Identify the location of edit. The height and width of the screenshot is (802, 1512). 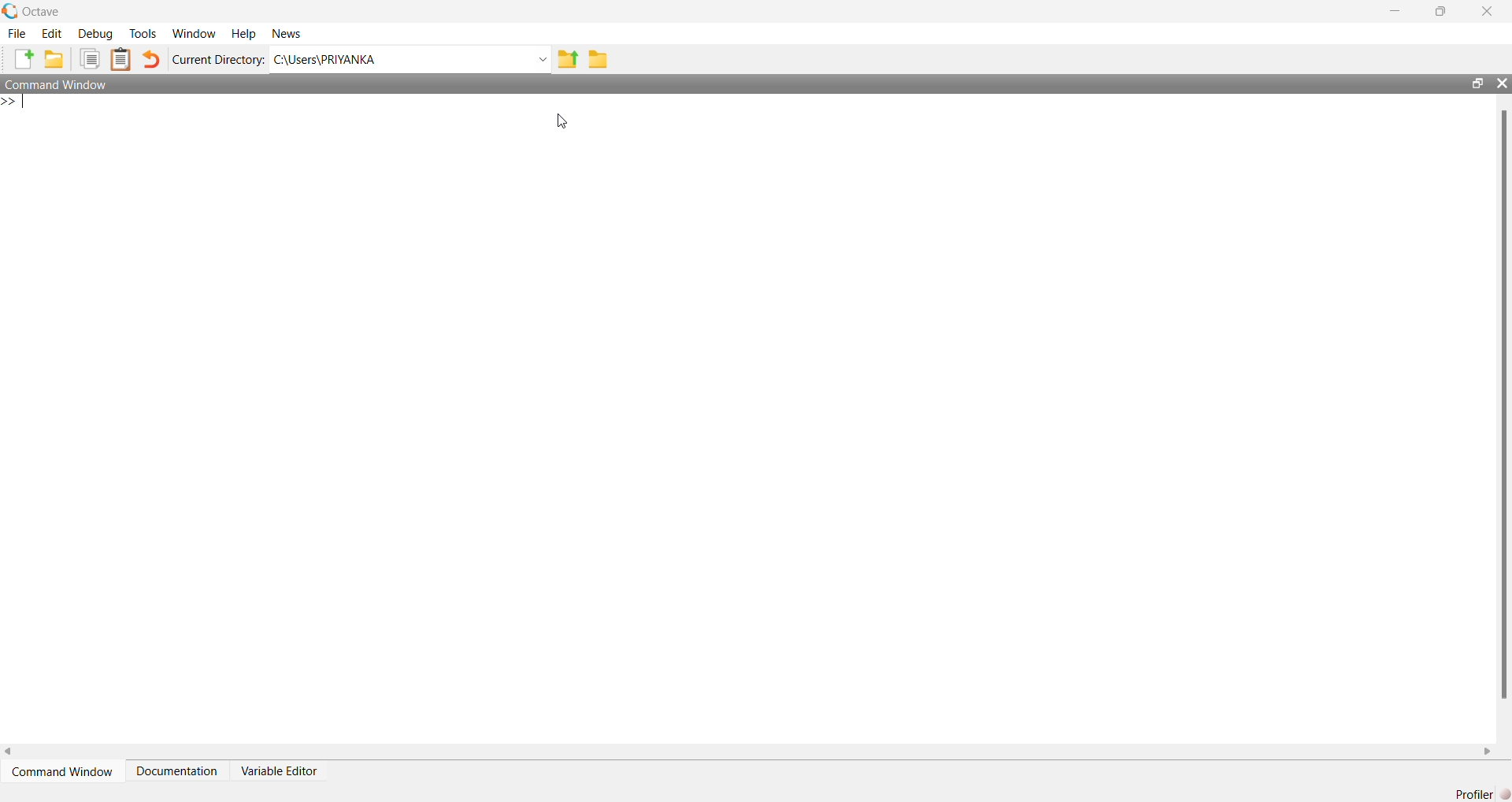
(51, 35).